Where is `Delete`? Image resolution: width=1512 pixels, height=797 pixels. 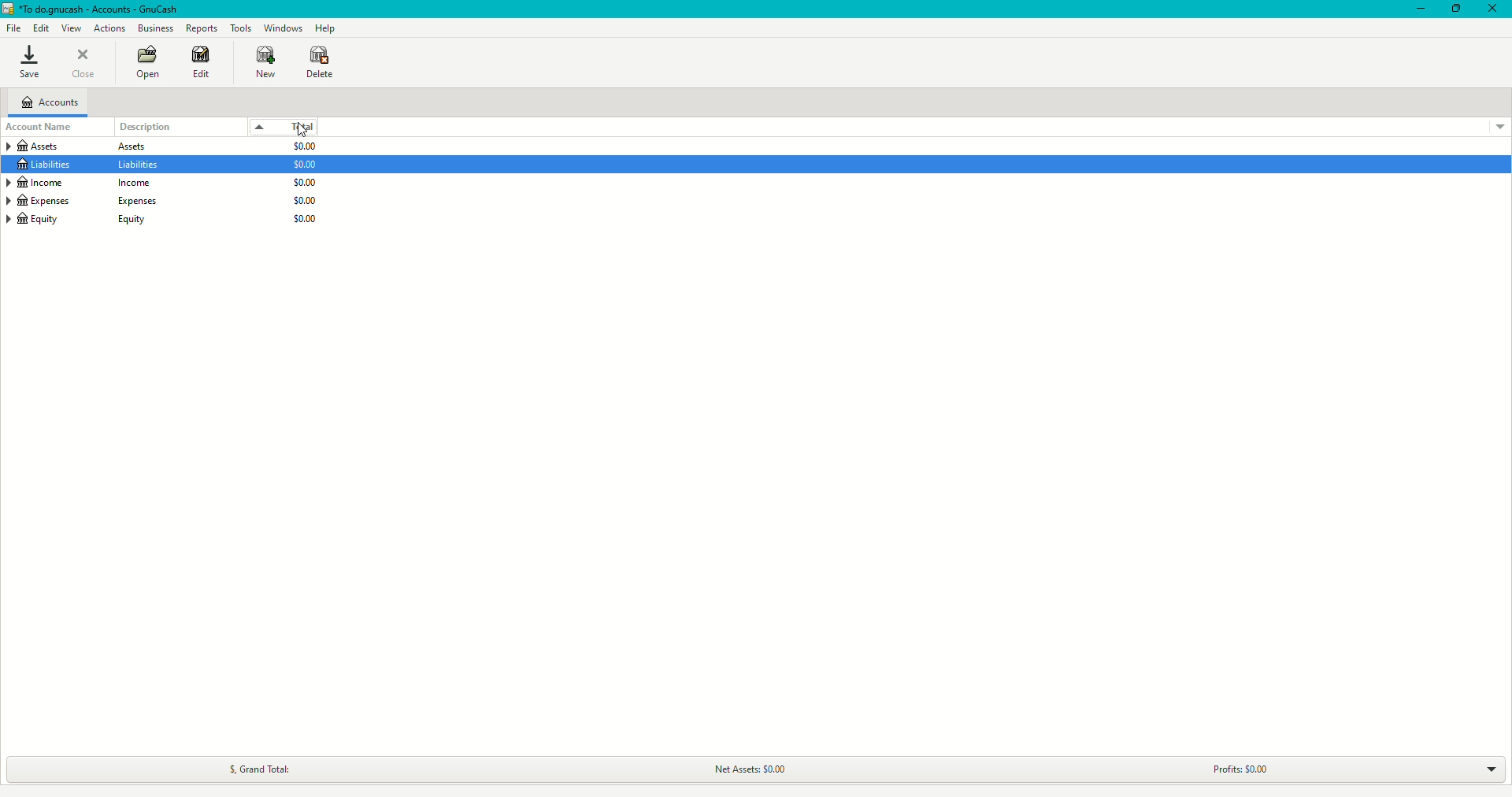 Delete is located at coordinates (319, 61).